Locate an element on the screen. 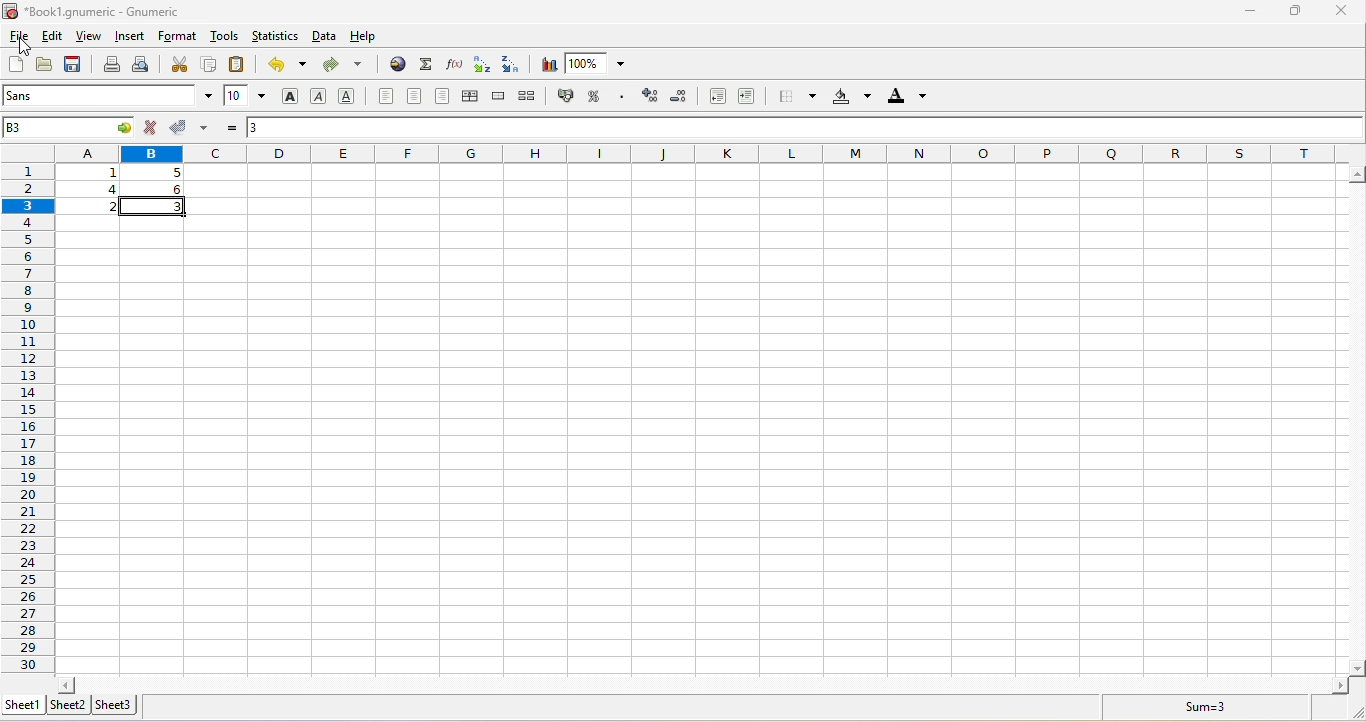 This screenshot has height=722, width=1366. cancel change is located at coordinates (154, 128).